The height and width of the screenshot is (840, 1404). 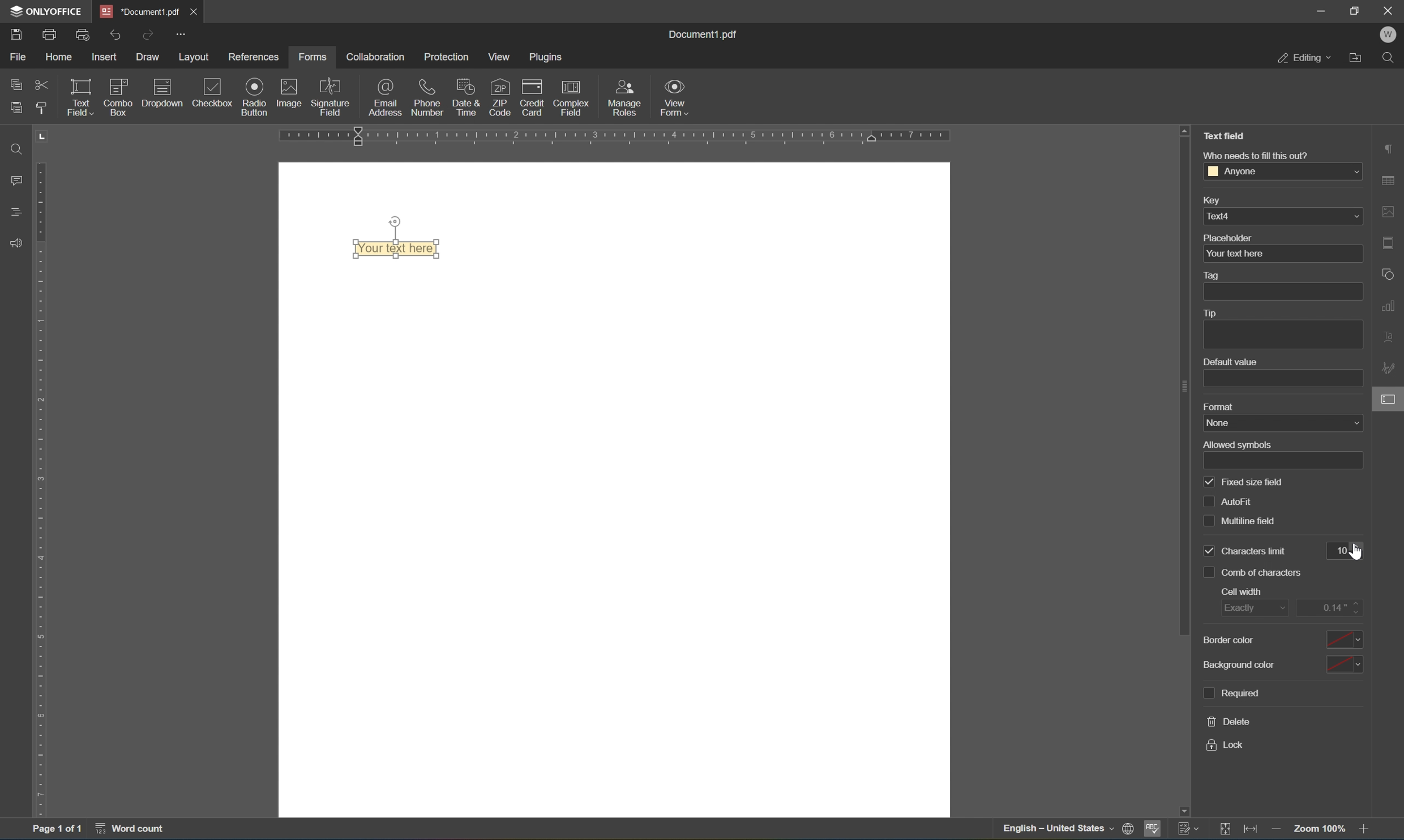 What do you see at coordinates (17, 36) in the screenshot?
I see `save` at bounding box center [17, 36].